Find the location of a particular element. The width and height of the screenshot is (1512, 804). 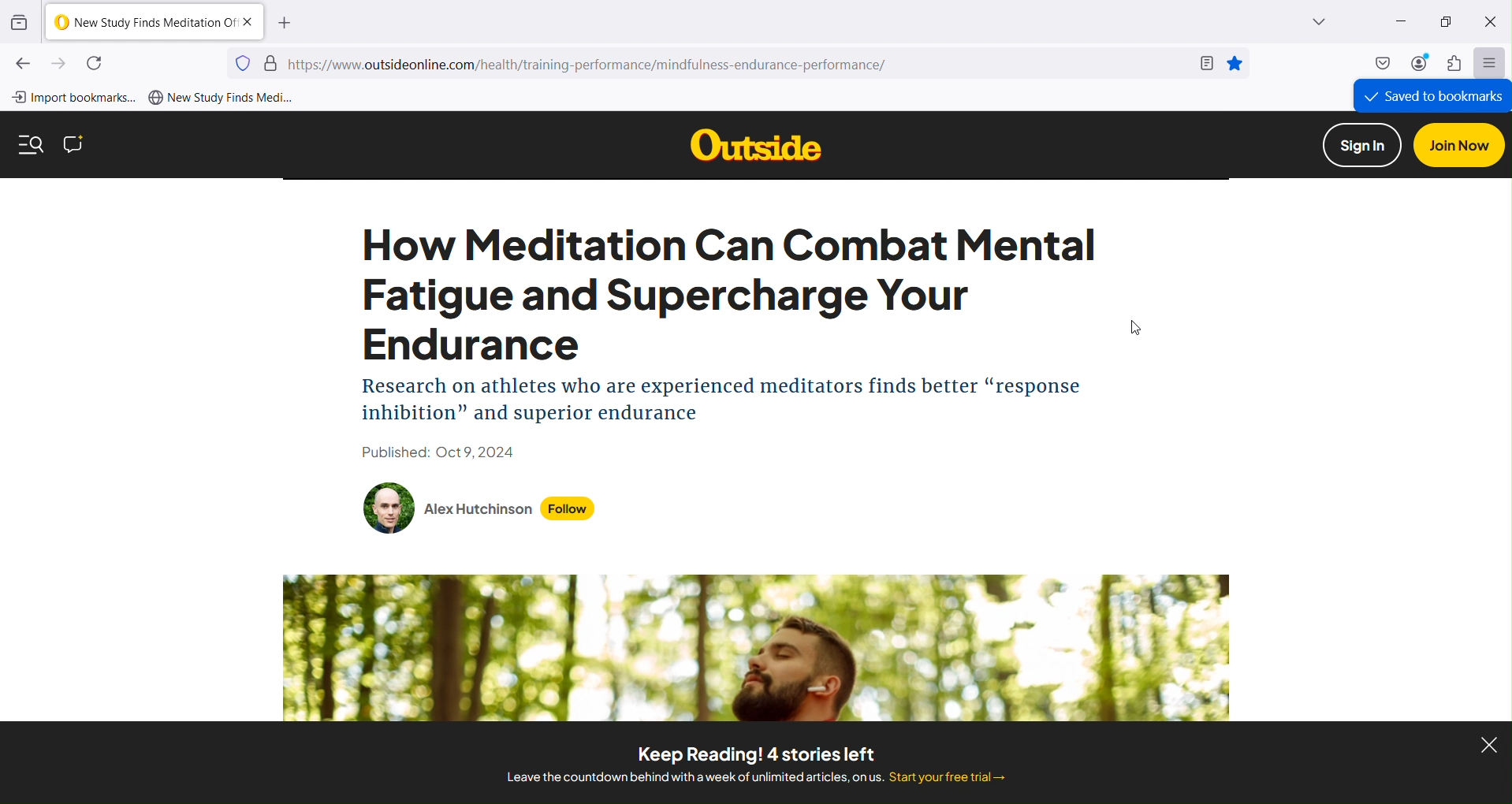

New bookmark added is located at coordinates (221, 99).